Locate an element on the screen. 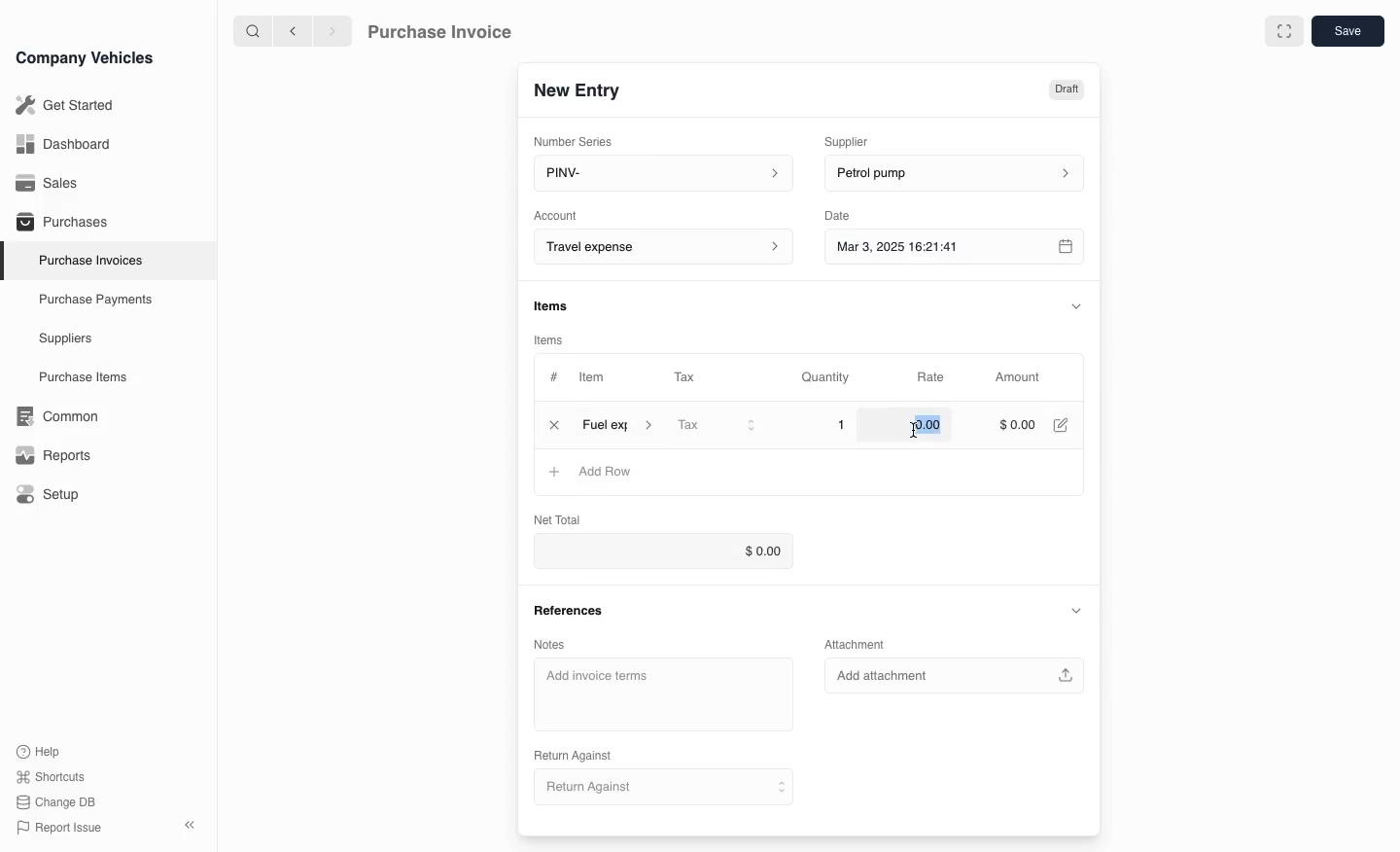 This screenshot has width=1400, height=852. close sidebar is located at coordinates (192, 823).